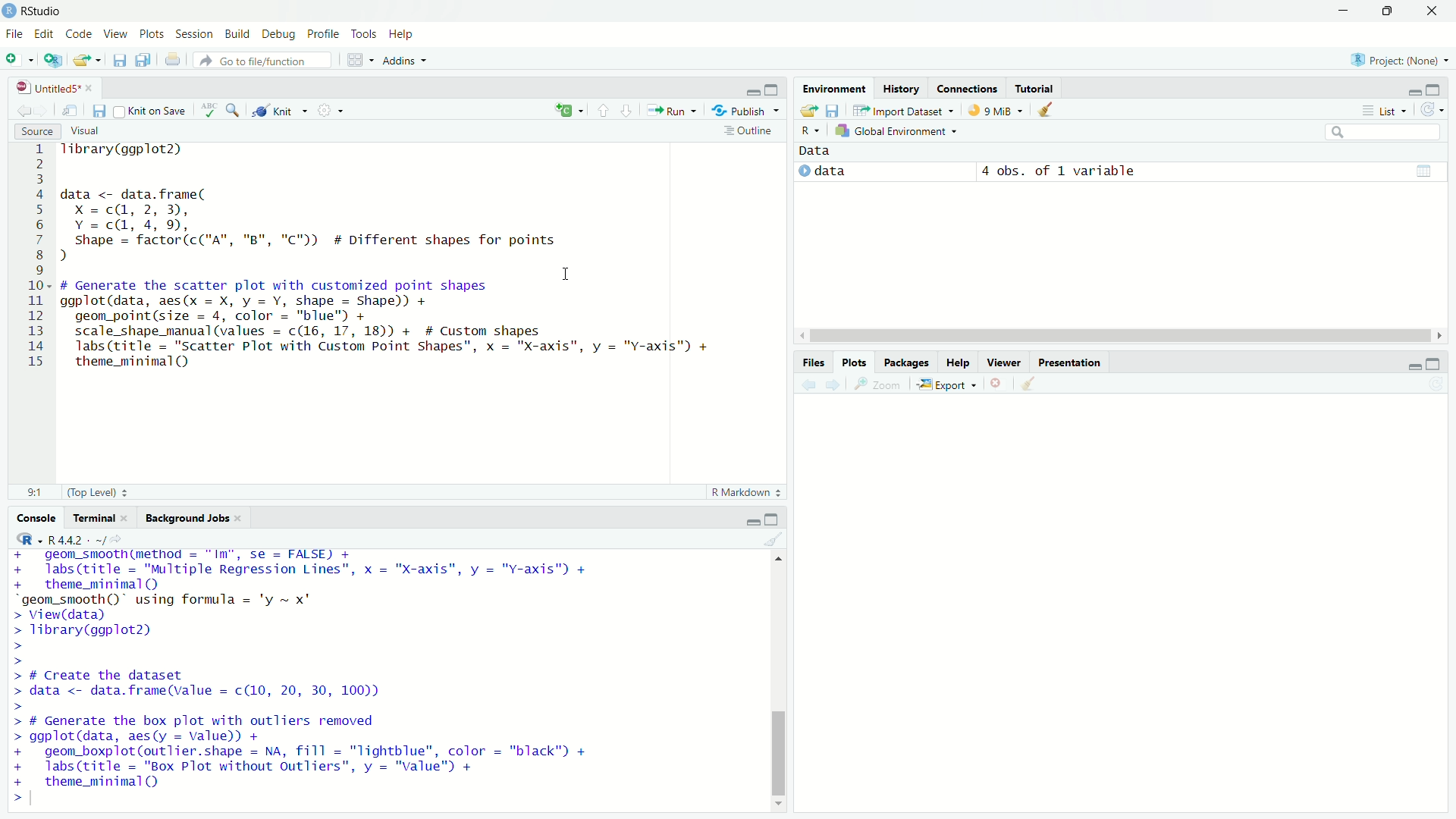 Image resolution: width=1456 pixels, height=819 pixels. Describe the element at coordinates (1382, 109) in the screenshot. I see `List` at that location.